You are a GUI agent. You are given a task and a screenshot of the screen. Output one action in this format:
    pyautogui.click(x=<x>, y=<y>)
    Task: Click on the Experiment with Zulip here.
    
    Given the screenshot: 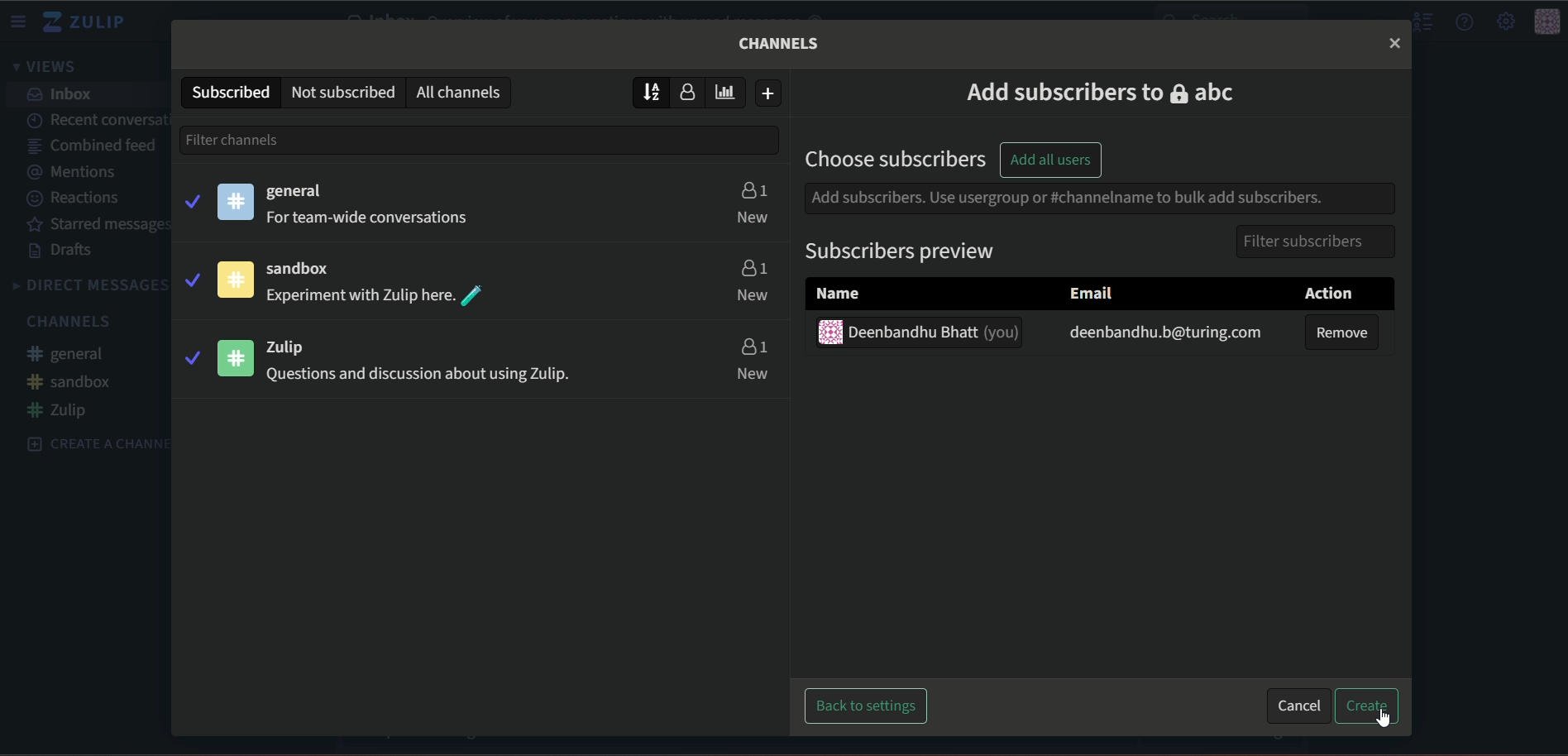 What is the action you would take?
    pyautogui.click(x=360, y=296)
    